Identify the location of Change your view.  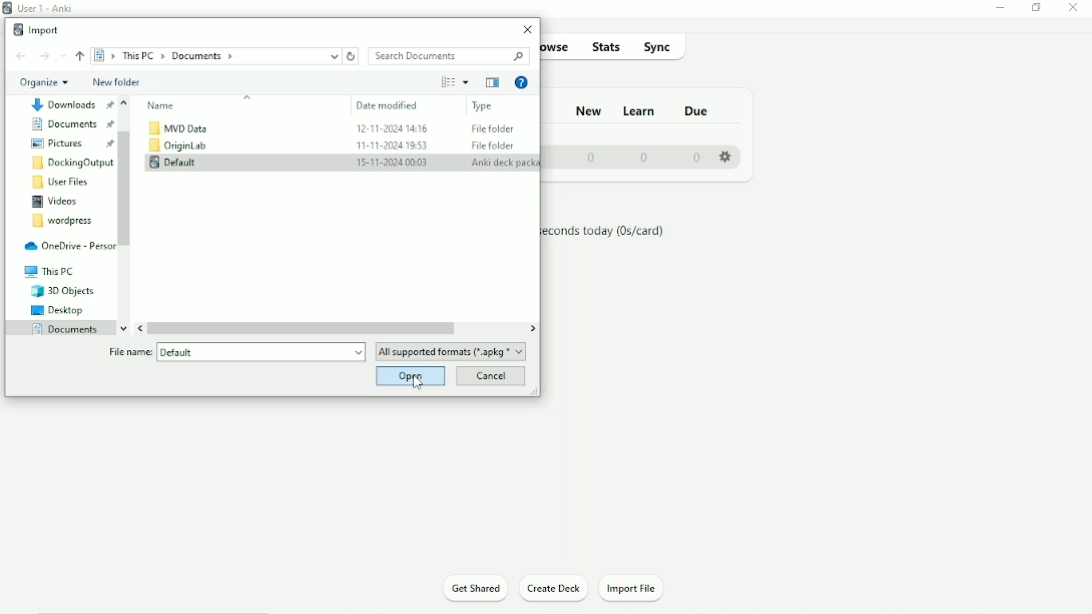
(448, 83).